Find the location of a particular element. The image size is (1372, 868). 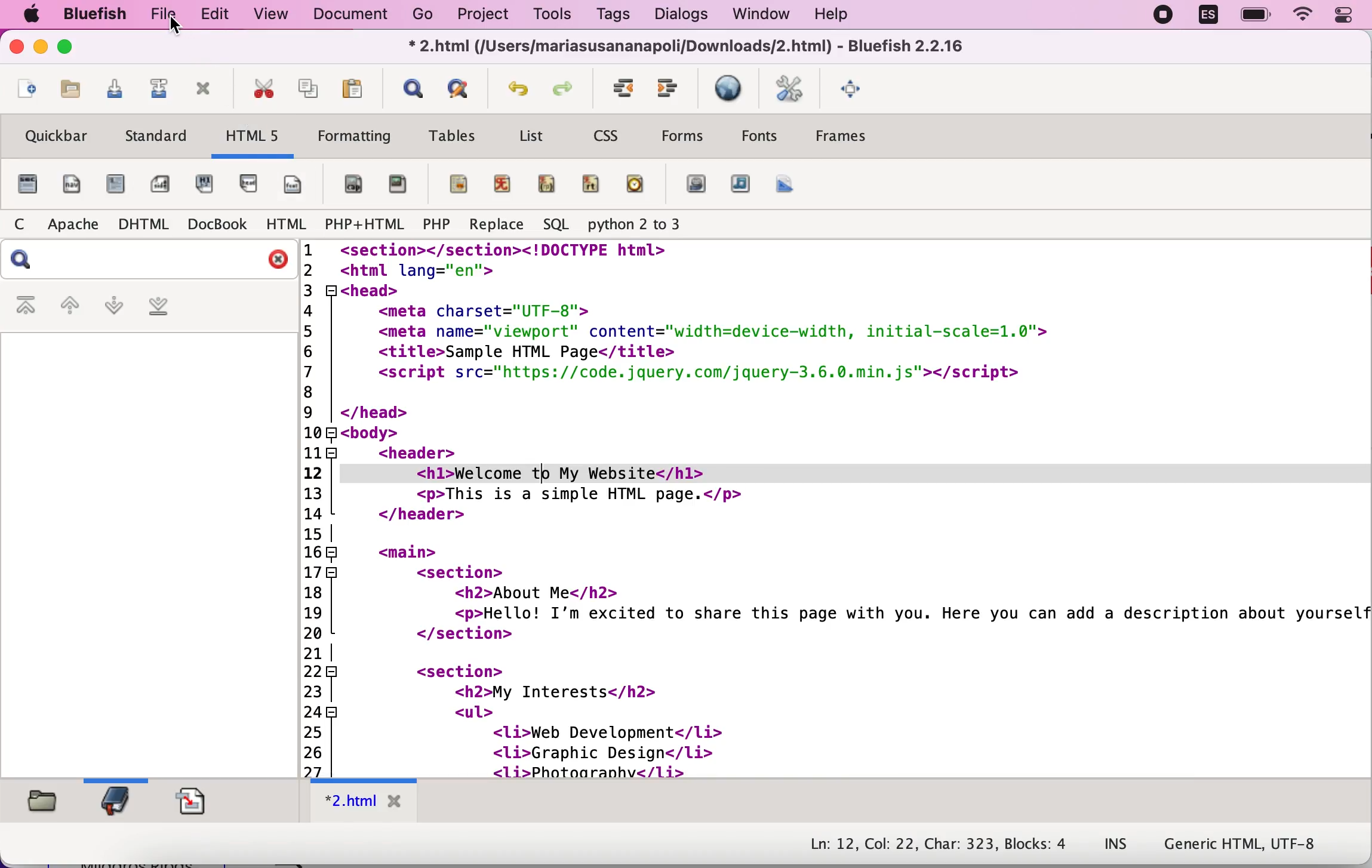

frames is located at coordinates (859, 138).